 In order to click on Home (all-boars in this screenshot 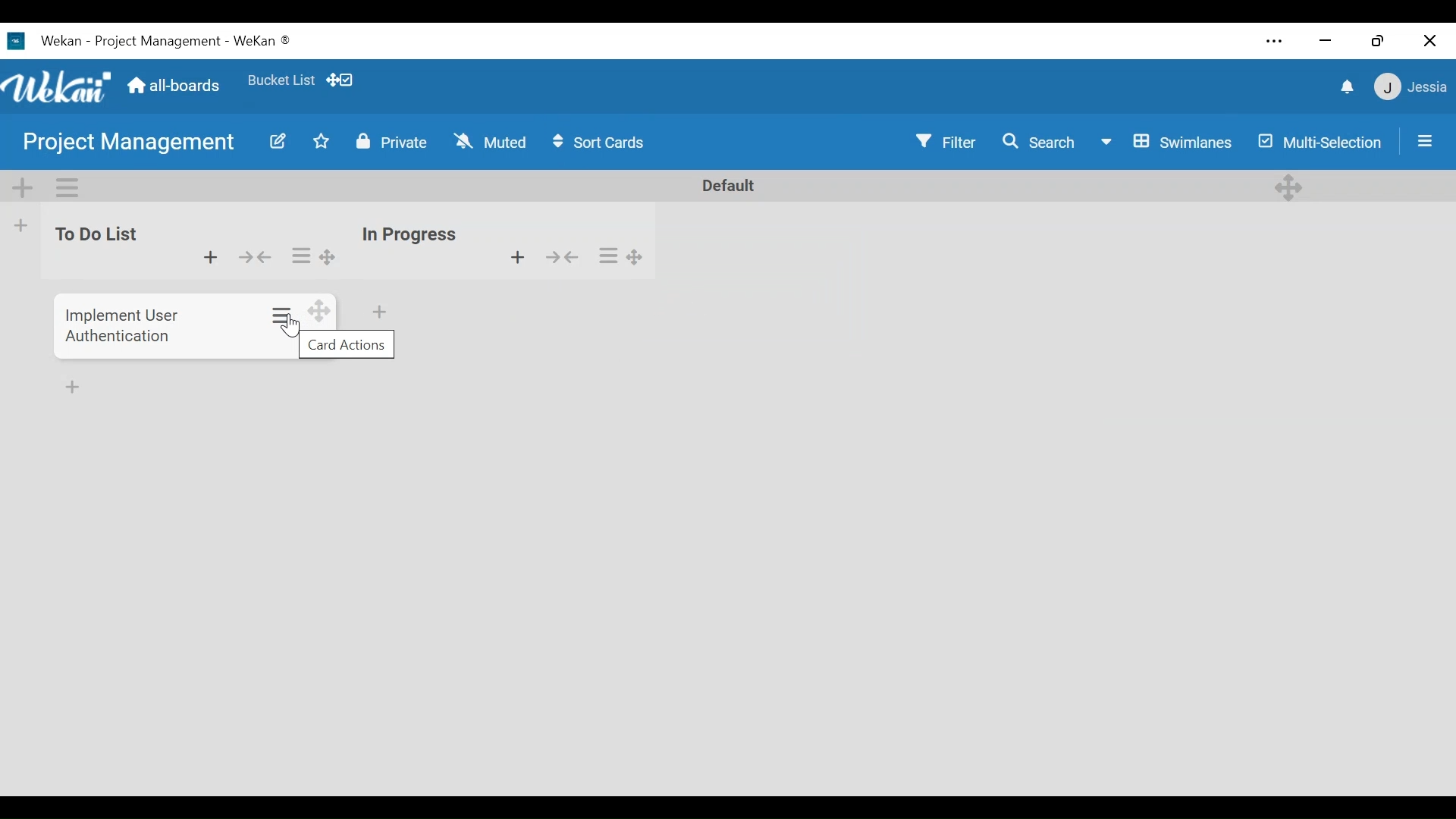, I will do `click(177, 86)`.